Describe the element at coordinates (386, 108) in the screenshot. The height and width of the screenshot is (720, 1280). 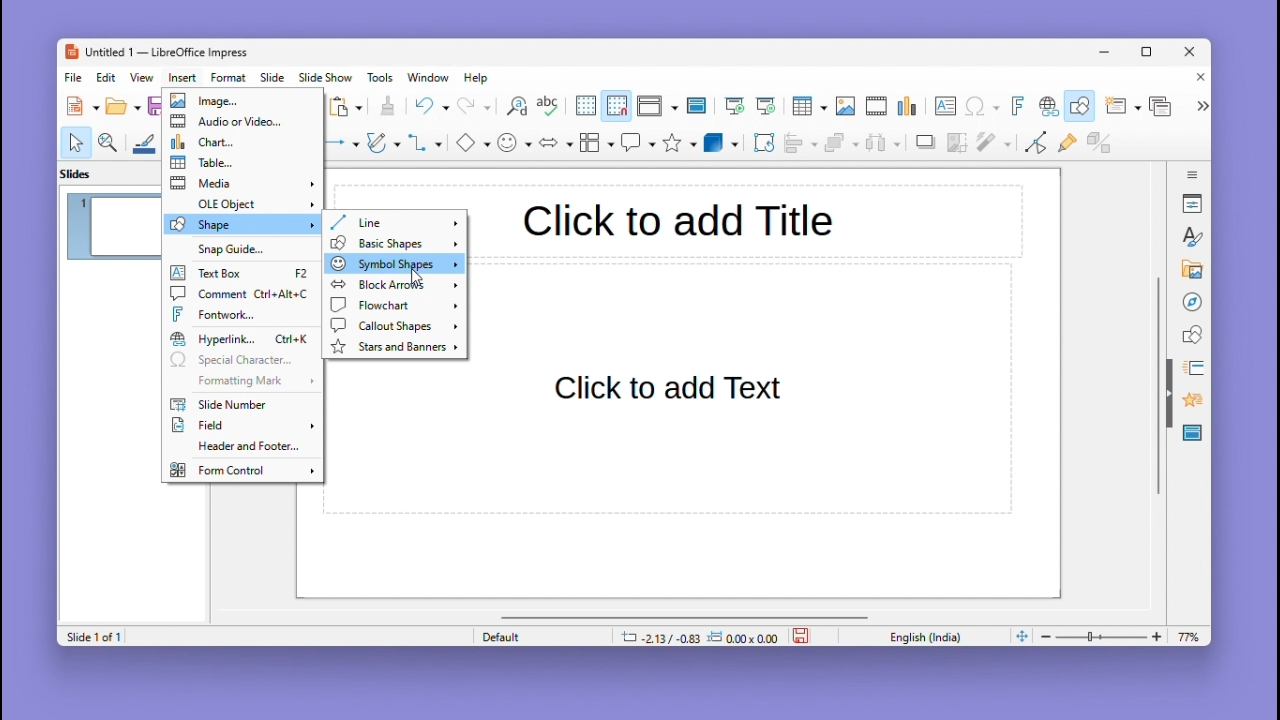
I see `copy format` at that location.